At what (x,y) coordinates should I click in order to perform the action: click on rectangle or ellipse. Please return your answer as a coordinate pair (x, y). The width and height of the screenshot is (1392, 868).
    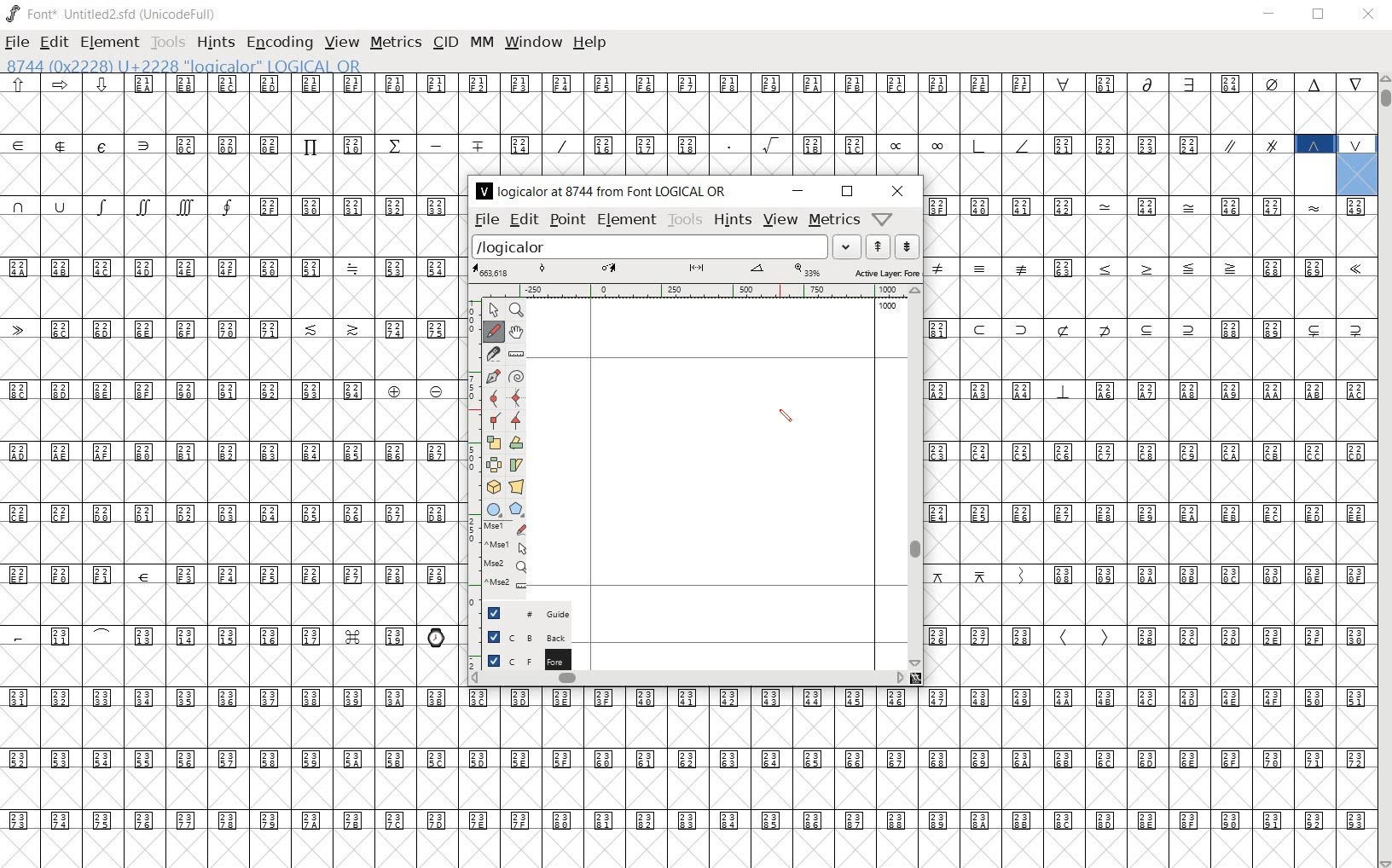
    Looking at the image, I should click on (496, 510).